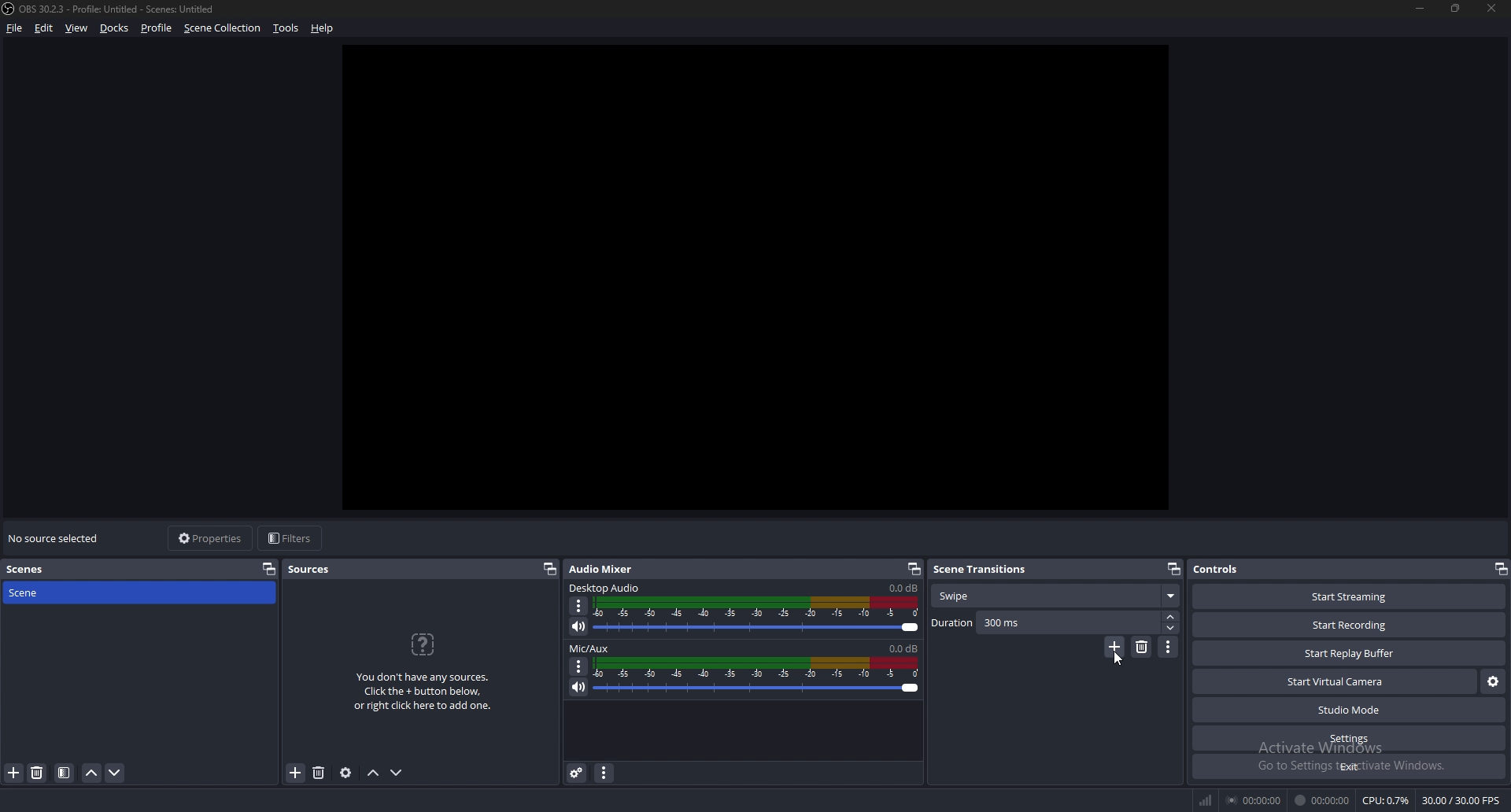 The width and height of the screenshot is (1511, 812). Describe the element at coordinates (1420, 9) in the screenshot. I see `minimize` at that location.